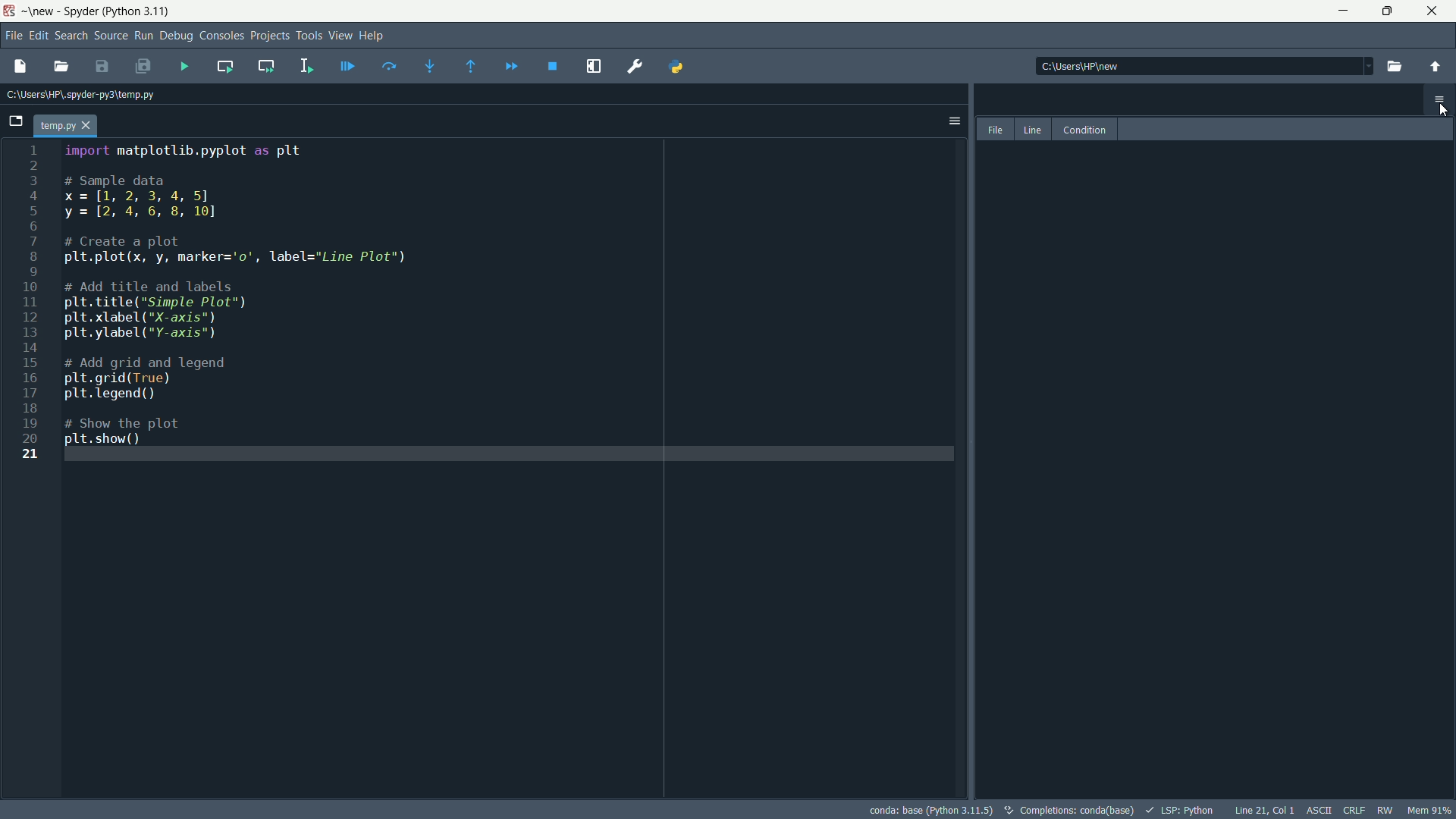 The width and height of the screenshot is (1456, 819). What do you see at coordinates (12, 34) in the screenshot?
I see `file menu` at bounding box center [12, 34].